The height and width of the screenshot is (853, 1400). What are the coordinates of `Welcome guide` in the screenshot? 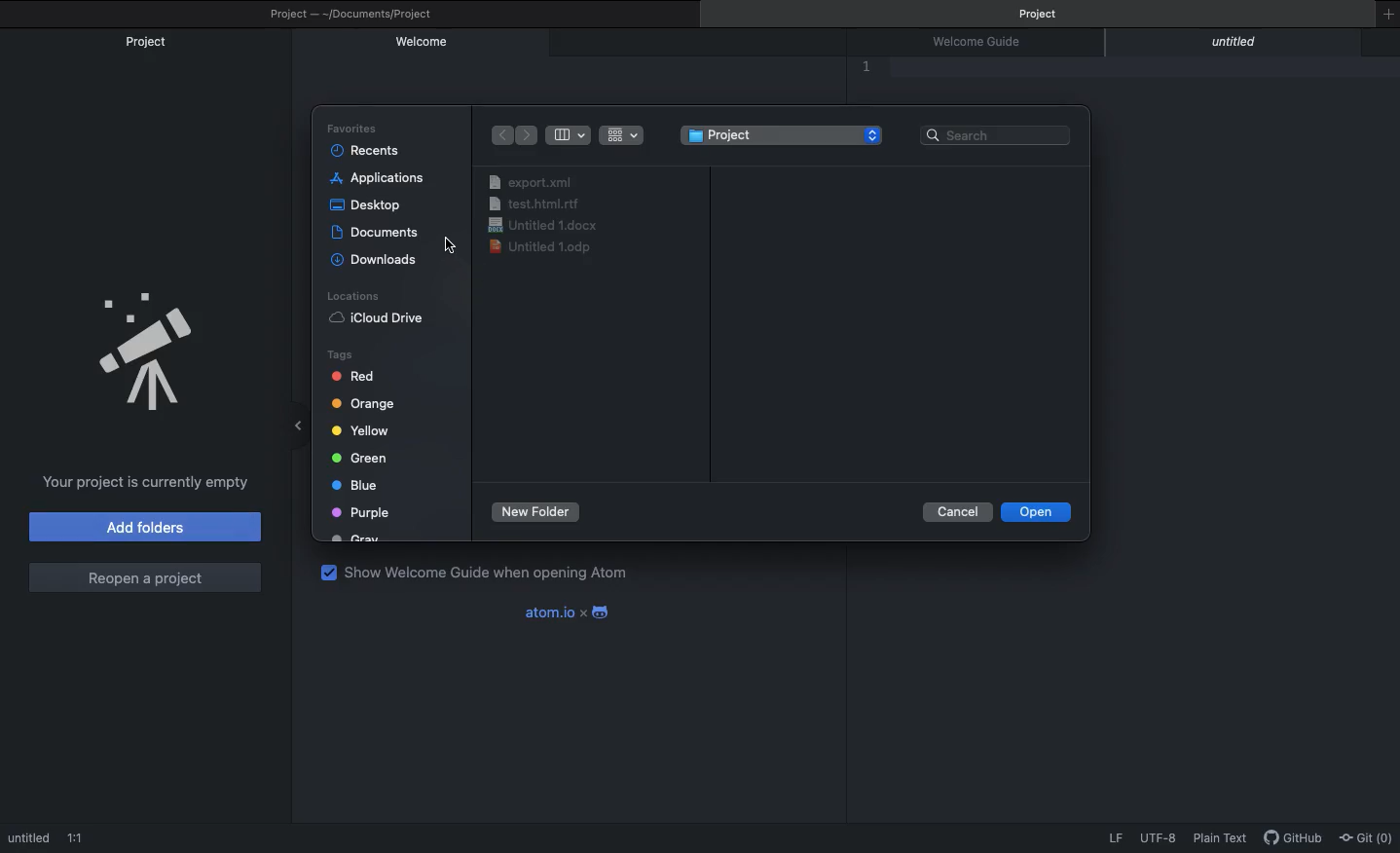 It's located at (986, 43).